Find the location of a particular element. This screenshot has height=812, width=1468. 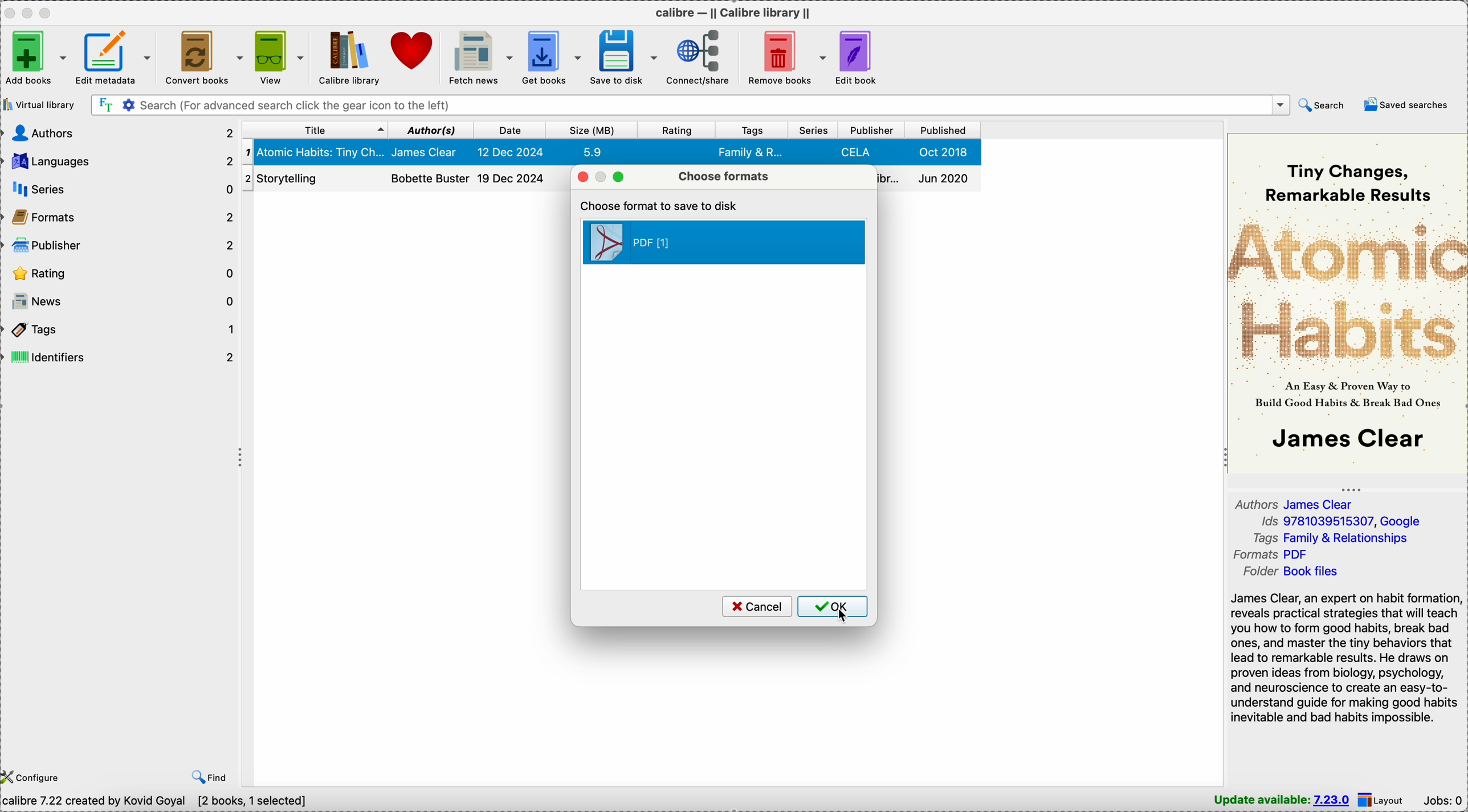

Atomic Habits: Tiny Changes book details selected is located at coordinates (608, 153).